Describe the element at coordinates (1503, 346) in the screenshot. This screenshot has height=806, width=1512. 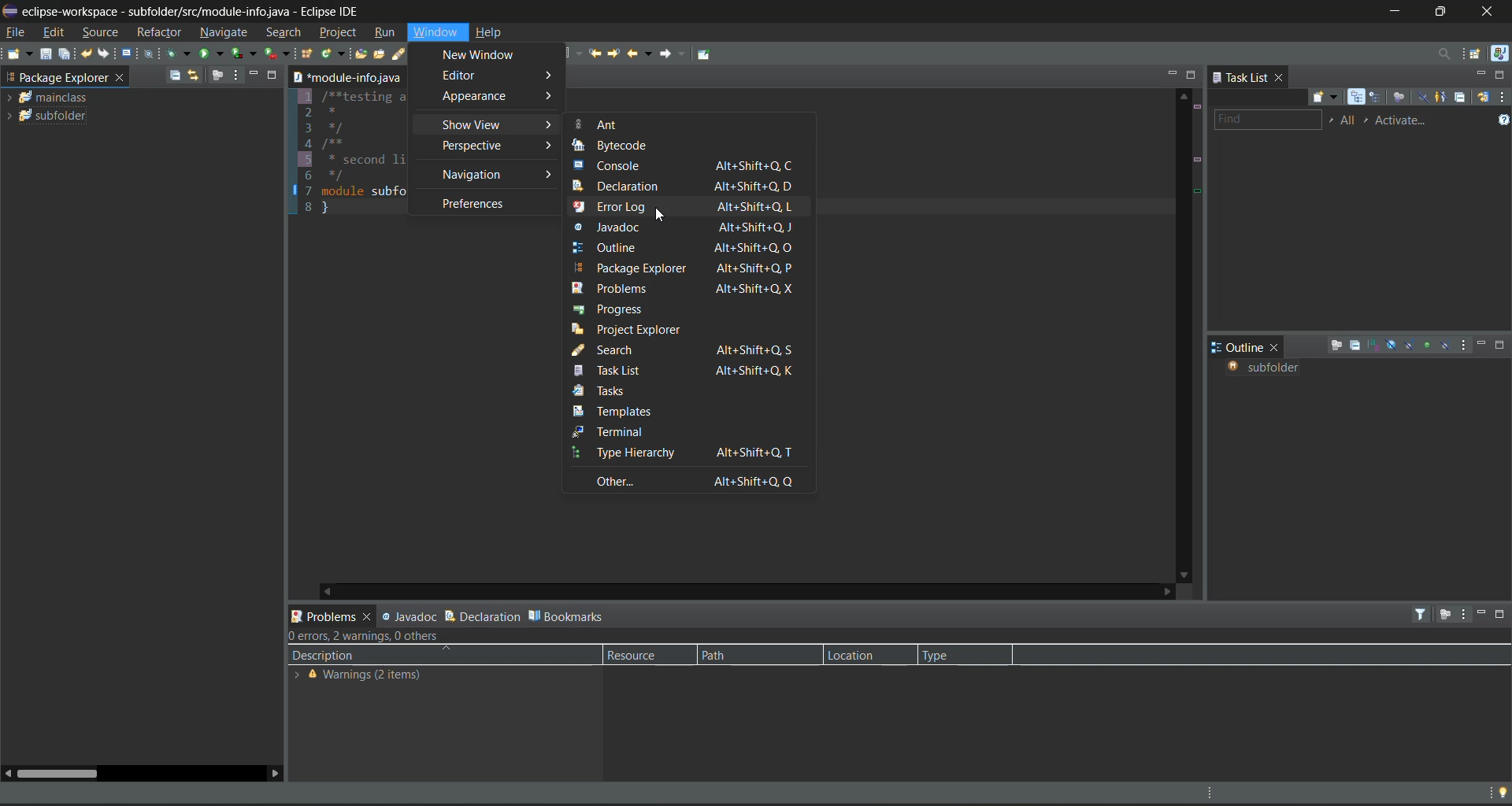
I see `maximize` at that location.